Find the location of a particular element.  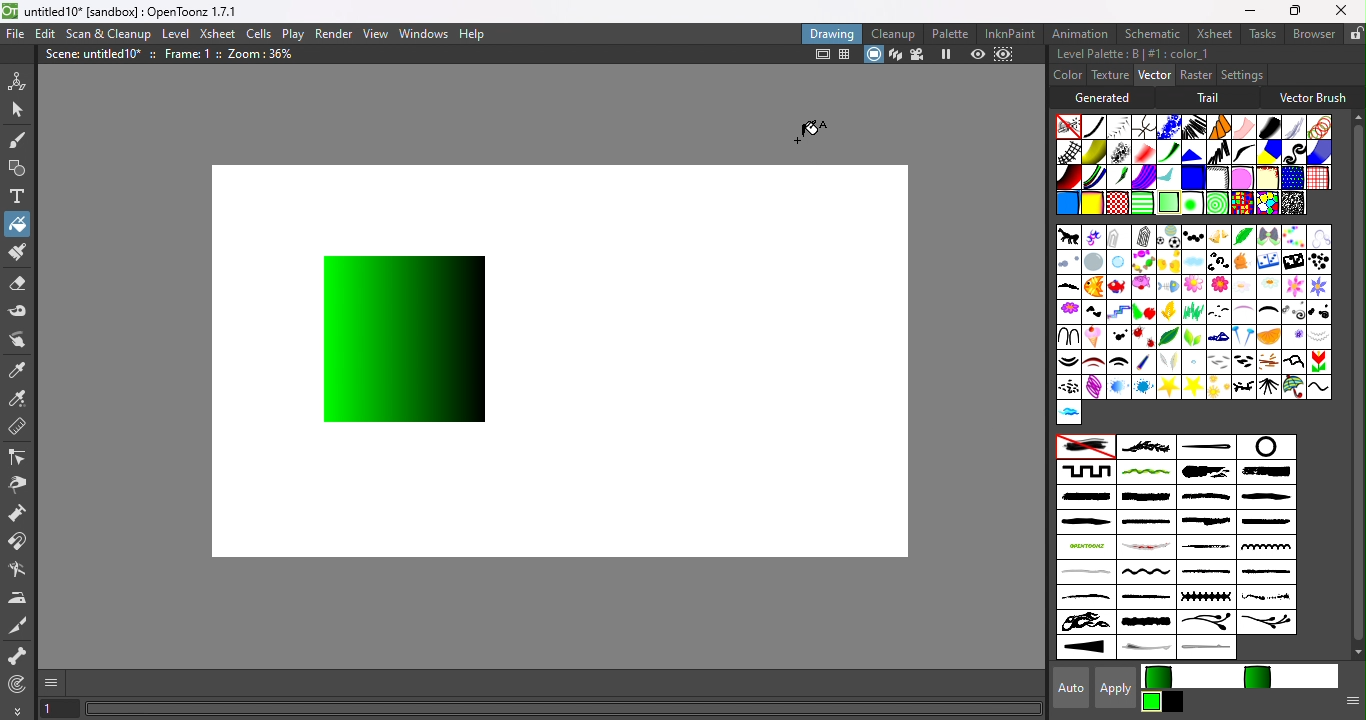

Level Palette is located at coordinates (1132, 54).